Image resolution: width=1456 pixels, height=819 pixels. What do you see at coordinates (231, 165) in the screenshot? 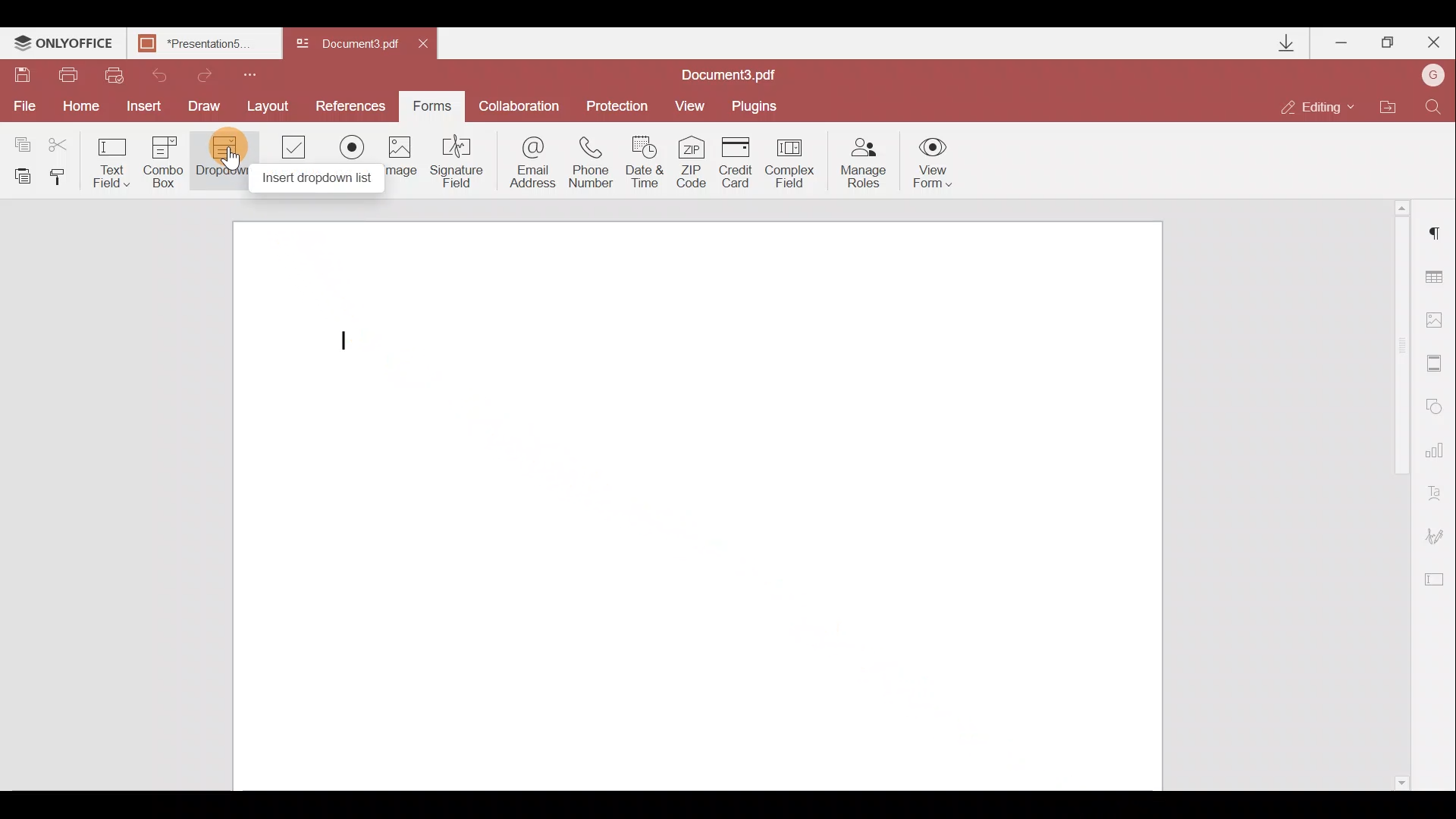
I see `pointer cursor` at bounding box center [231, 165].